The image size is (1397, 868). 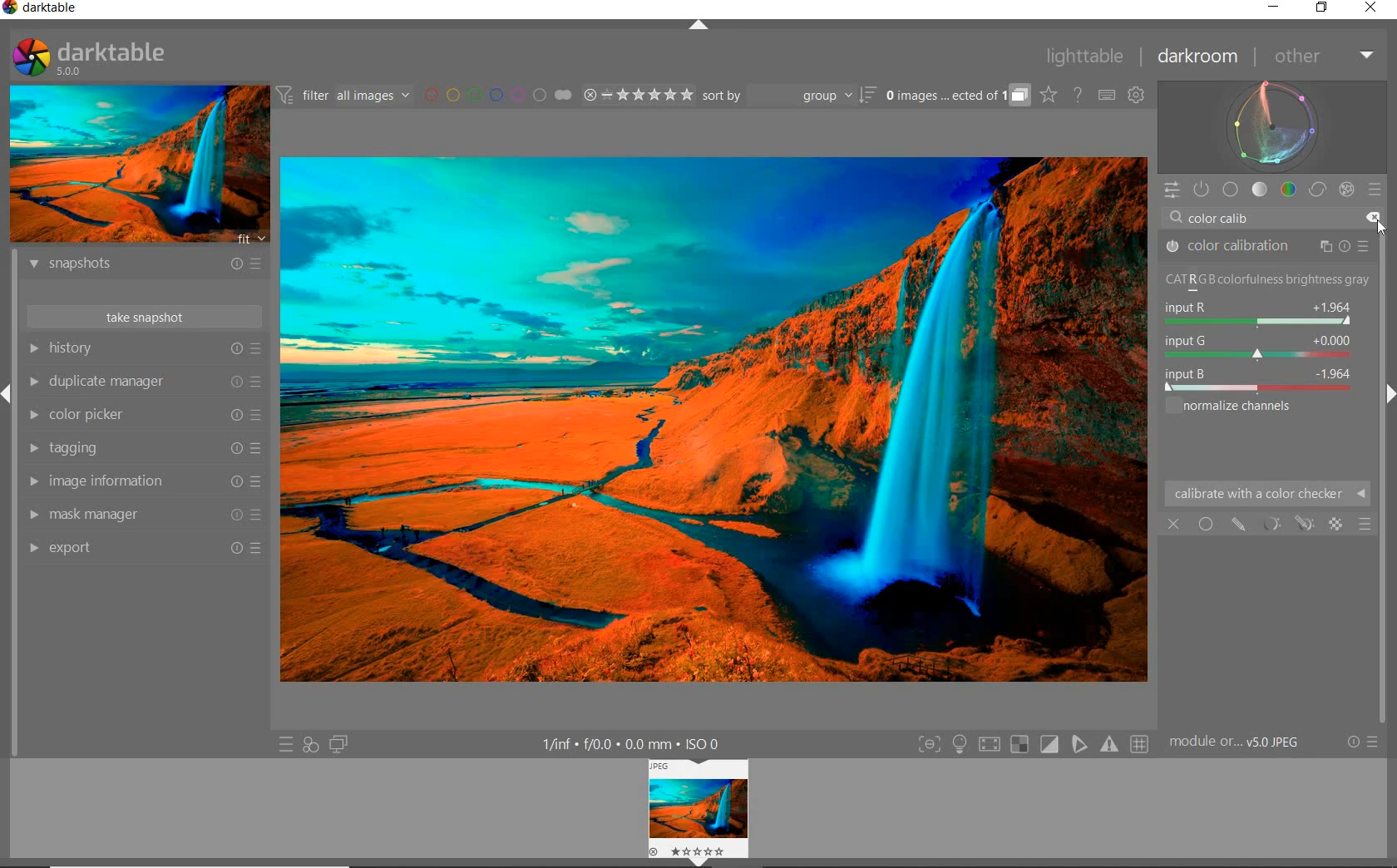 I want to click on history, so click(x=144, y=348).